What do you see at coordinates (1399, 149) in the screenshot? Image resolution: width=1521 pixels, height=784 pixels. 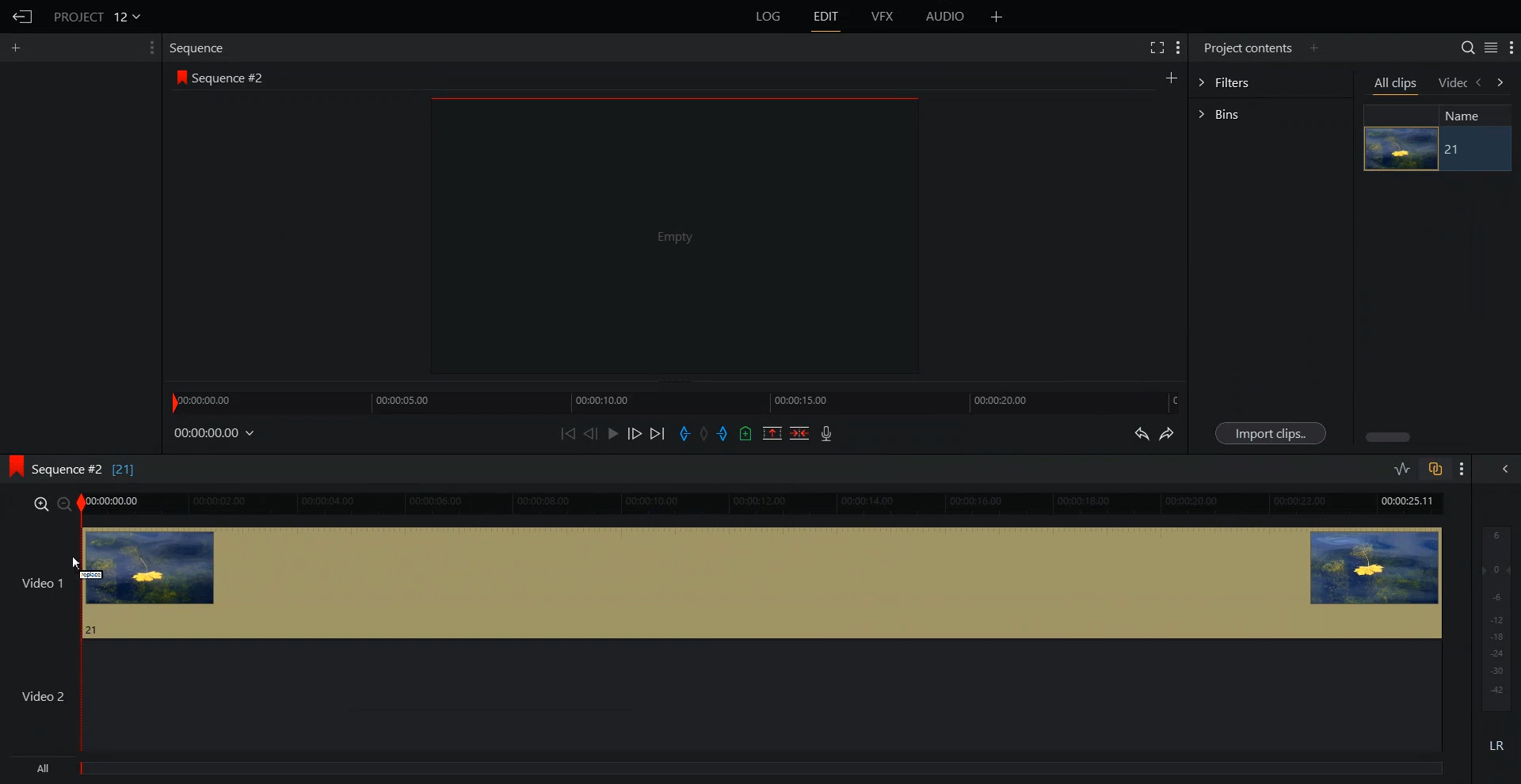 I see `Video File` at bounding box center [1399, 149].